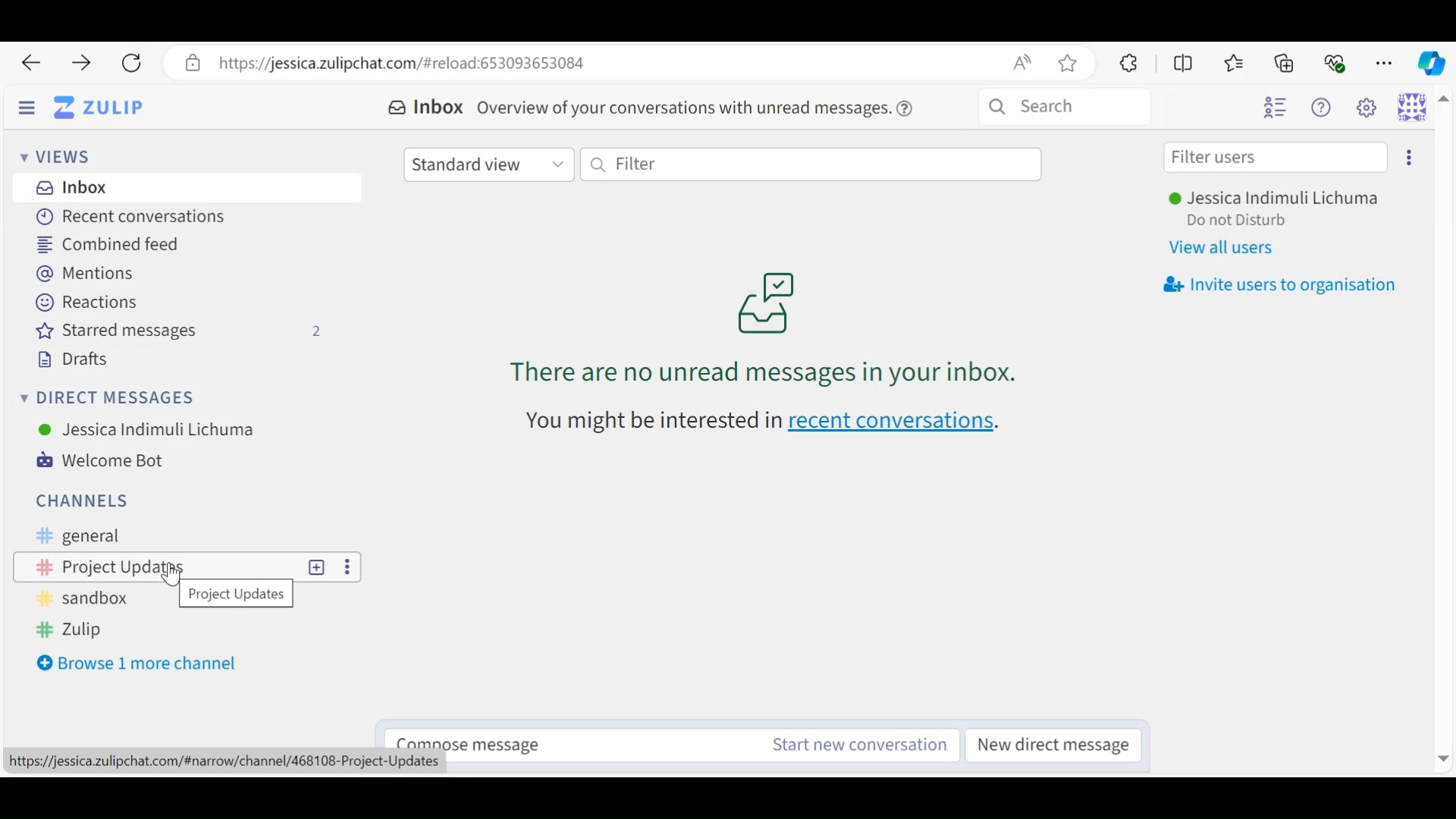 The width and height of the screenshot is (1456, 819). What do you see at coordinates (1336, 61) in the screenshot?
I see `Browser essentials` at bounding box center [1336, 61].